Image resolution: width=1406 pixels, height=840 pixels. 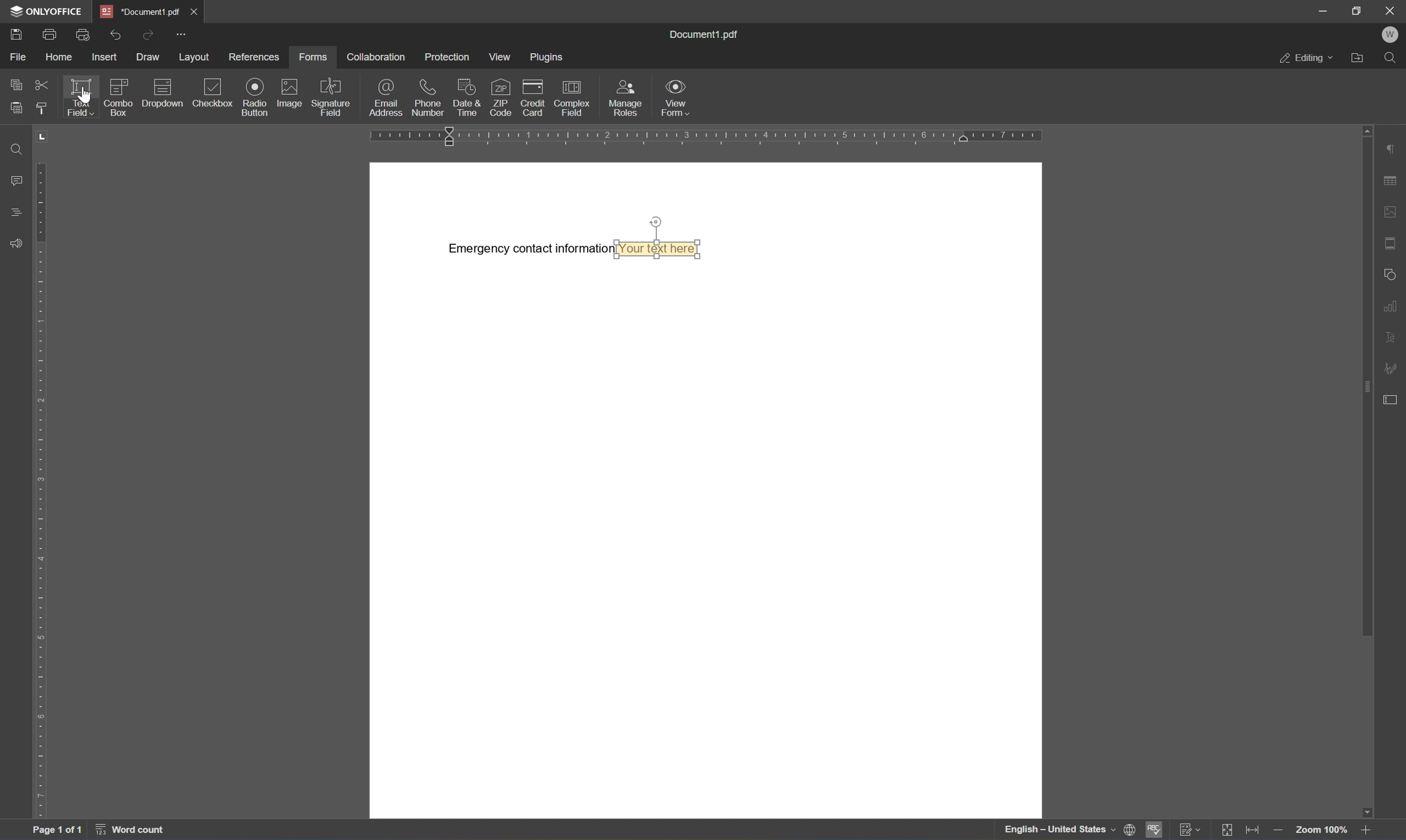 I want to click on print, so click(x=49, y=36).